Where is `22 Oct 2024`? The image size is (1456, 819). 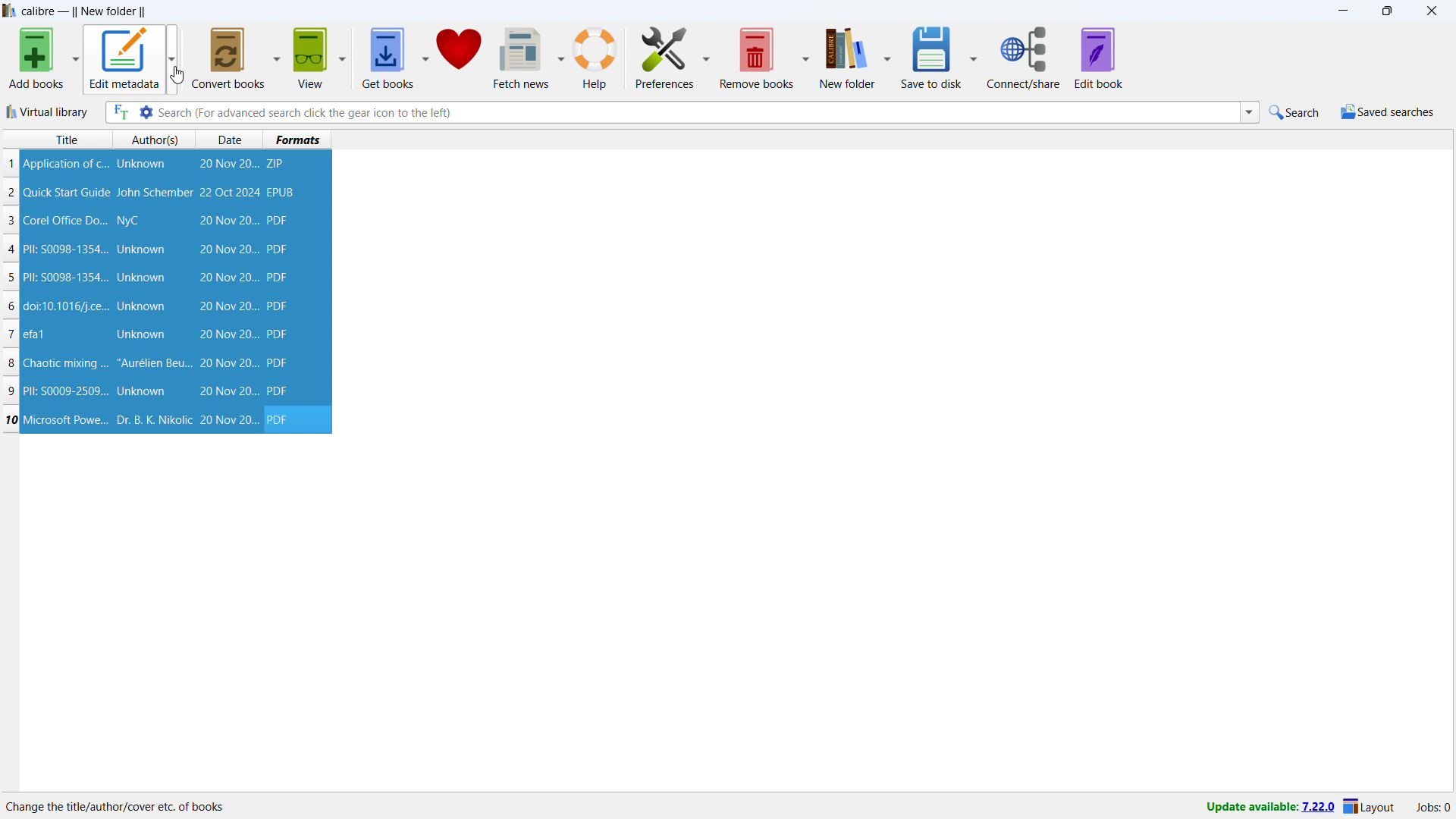
22 Oct 2024 is located at coordinates (229, 192).